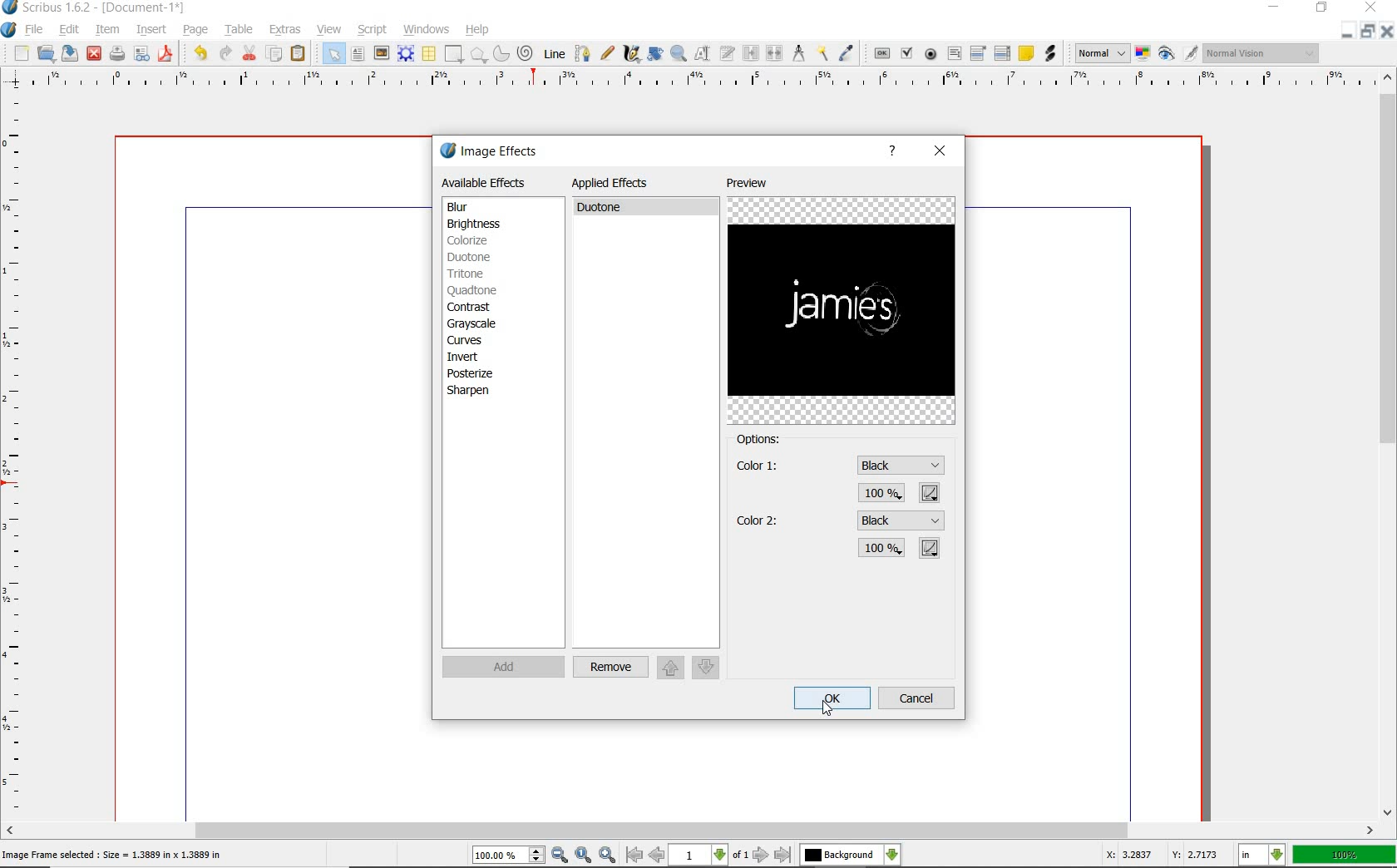 The image size is (1397, 868). Describe the element at coordinates (151, 28) in the screenshot. I see `insert` at that location.